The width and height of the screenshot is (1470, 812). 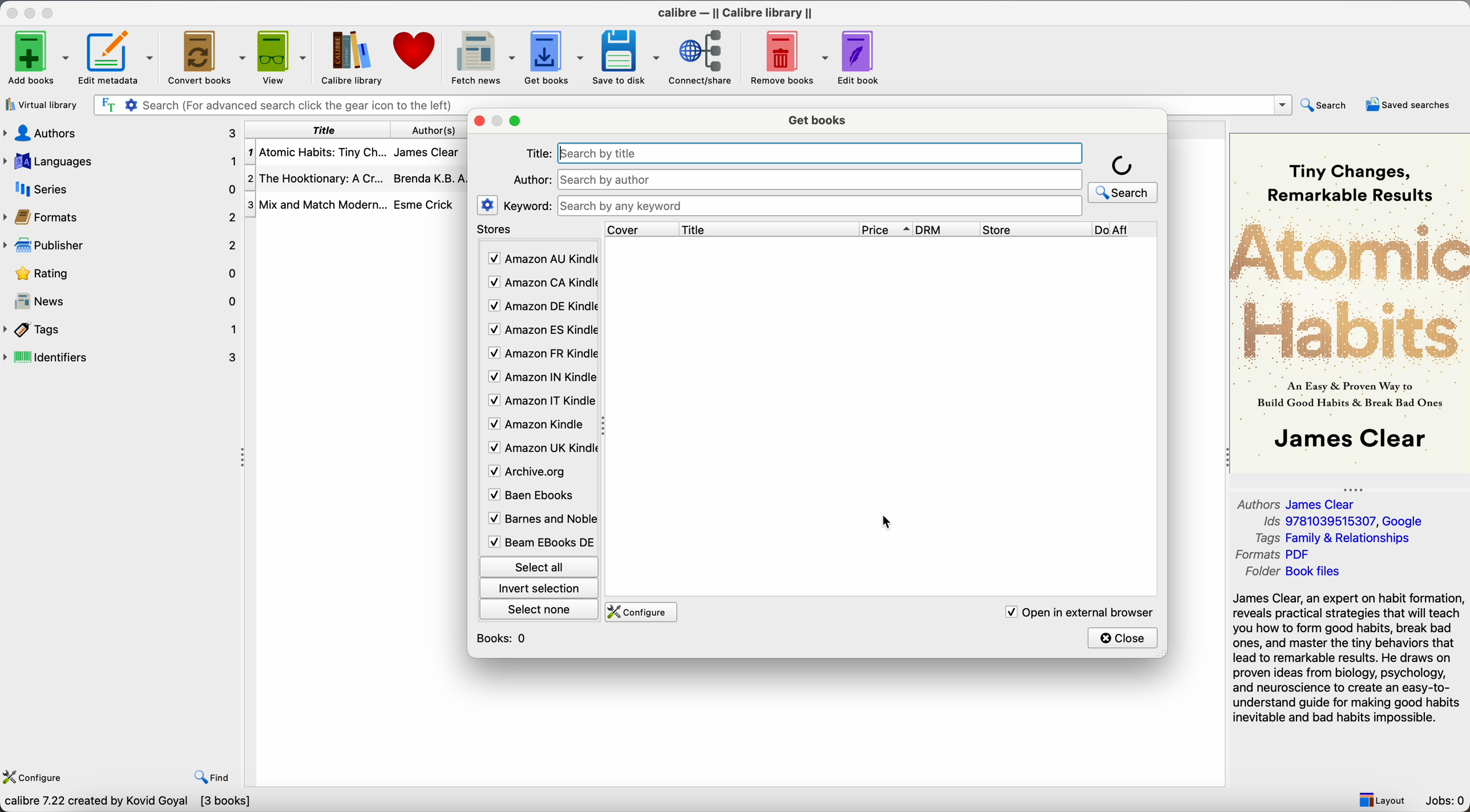 I want to click on Do Aff, so click(x=1125, y=230).